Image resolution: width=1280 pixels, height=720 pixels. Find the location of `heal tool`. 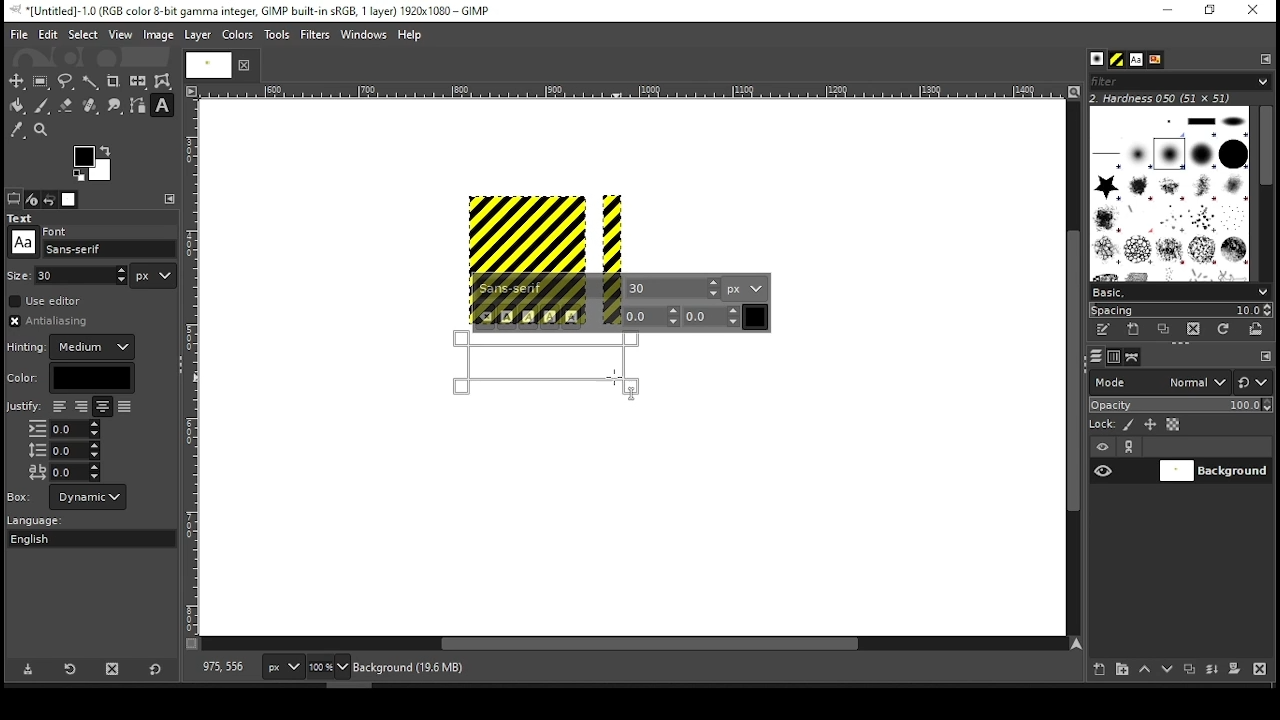

heal tool is located at coordinates (92, 107).